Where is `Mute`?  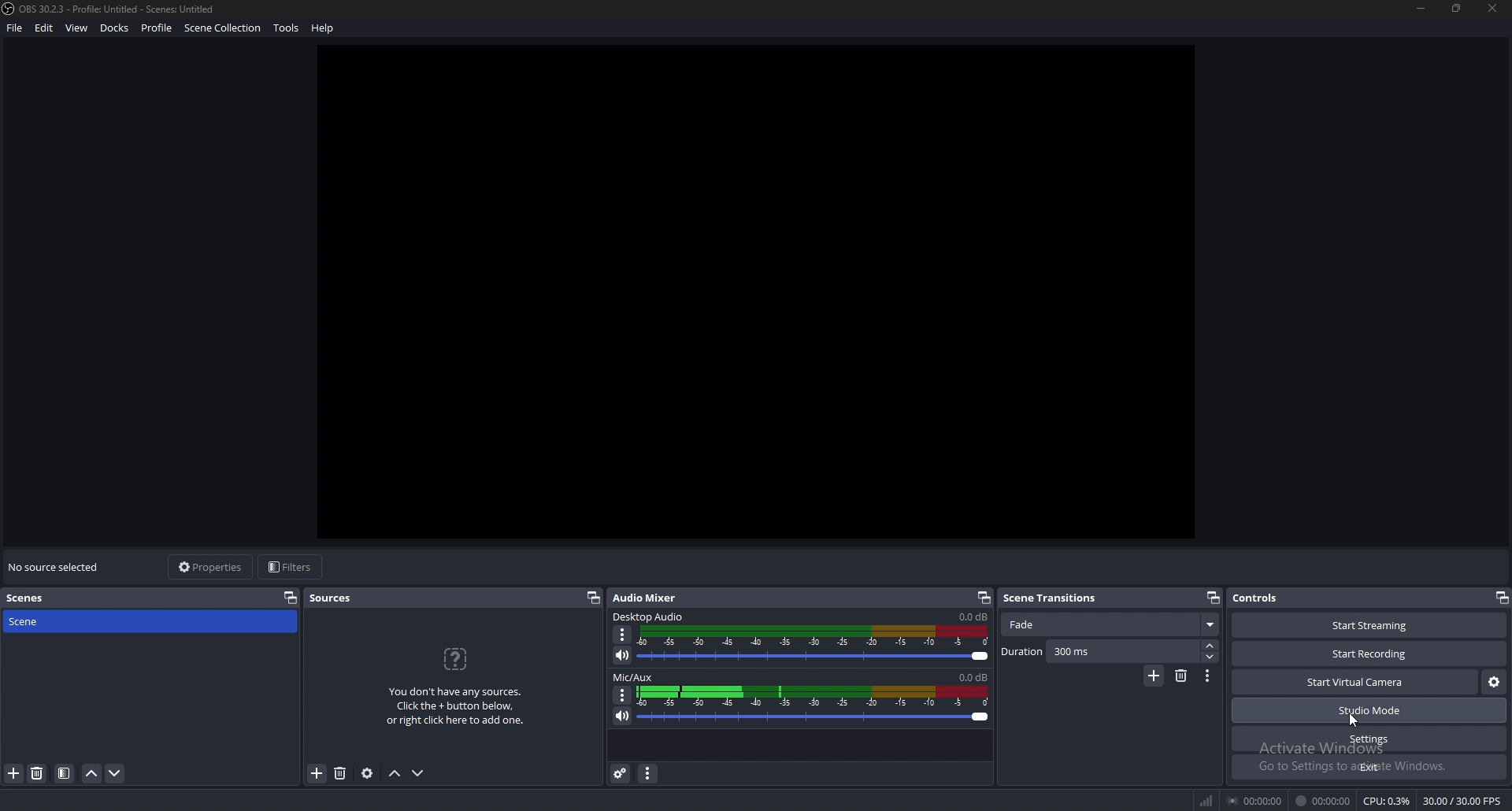 Mute is located at coordinates (624, 656).